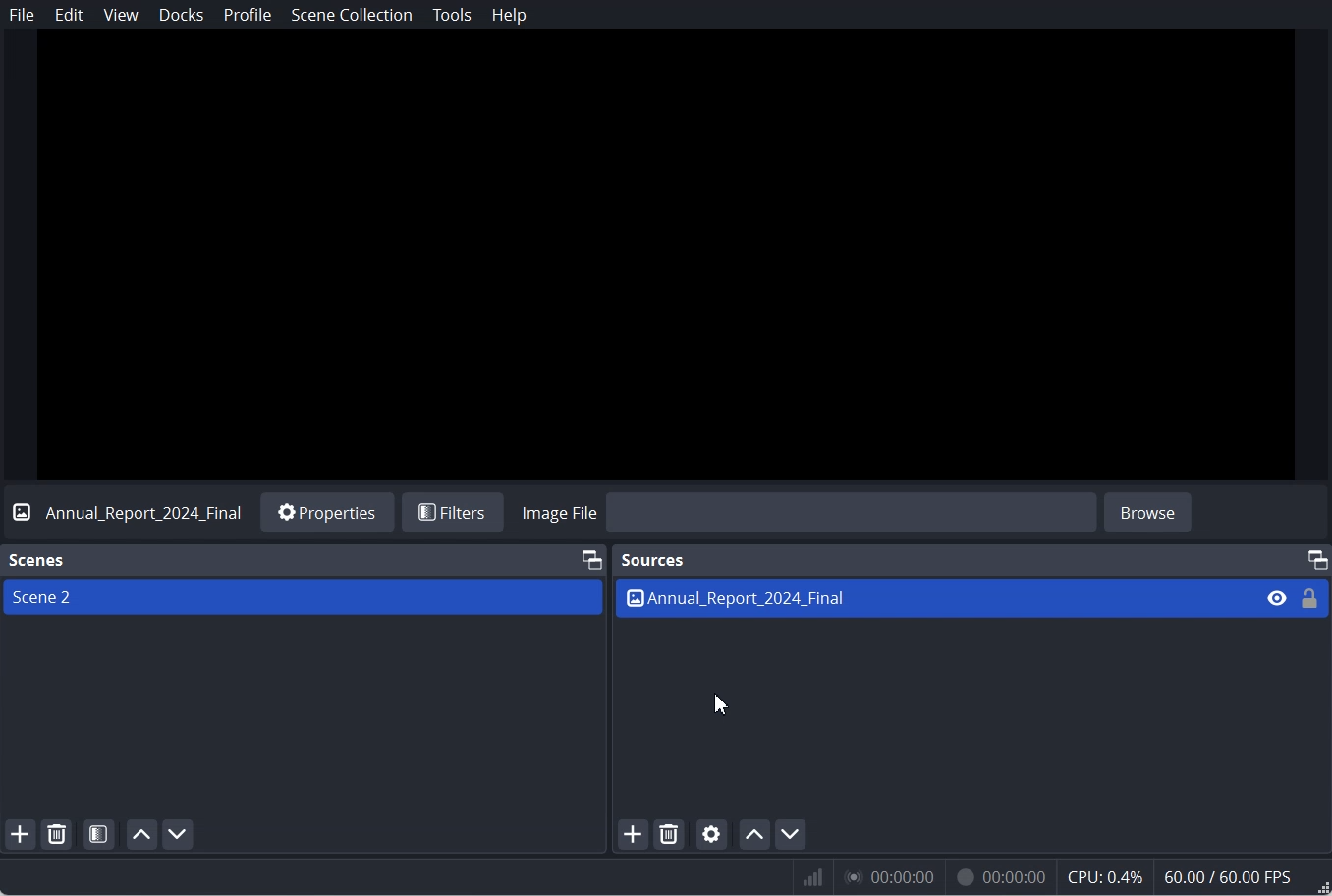 Image resolution: width=1332 pixels, height=896 pixels. I want to click on Move source down, so click(792, 833).